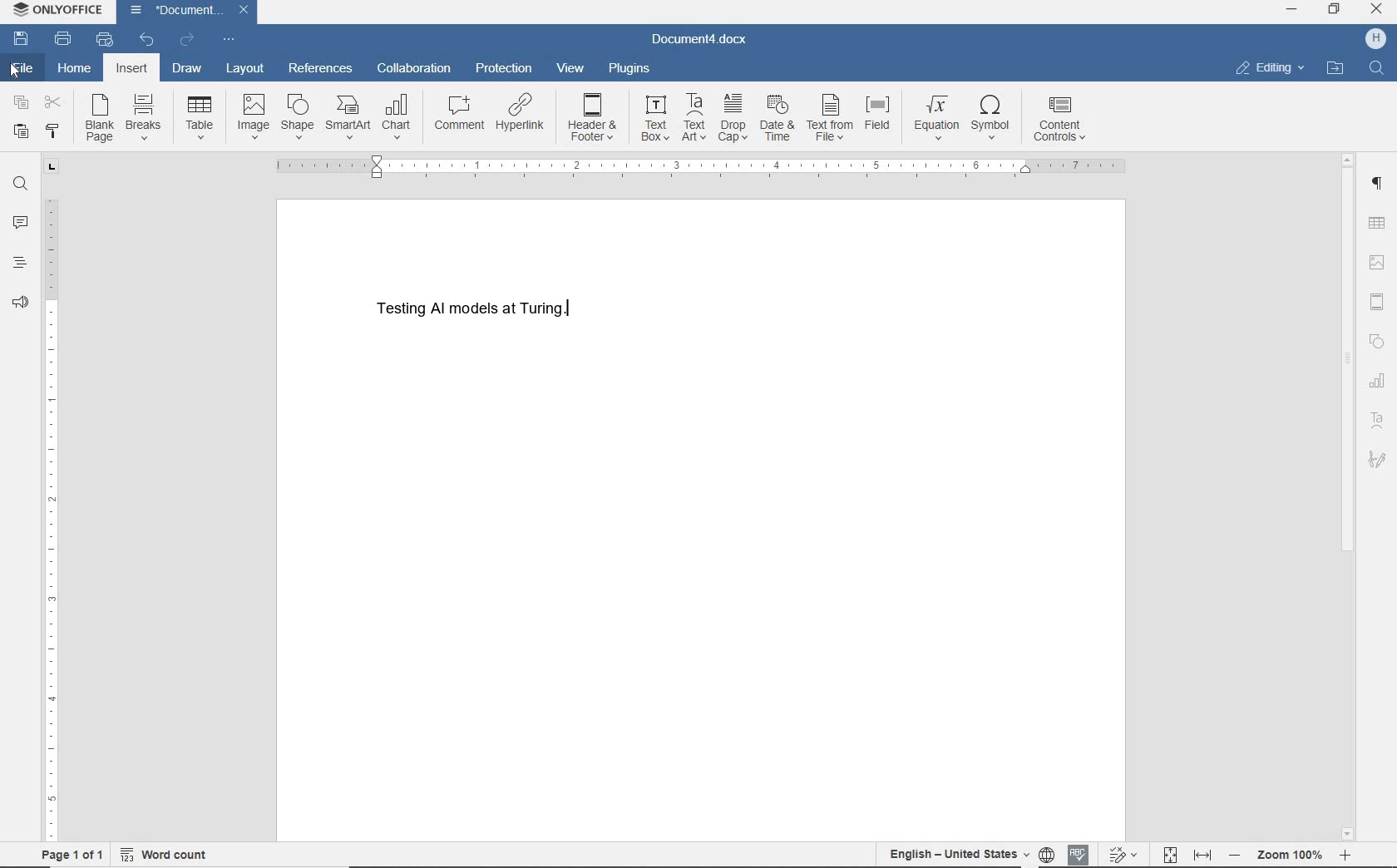  What do you see at coordinates (1335, 9) in the screenshot?
I see `RESTORE` at bounding box center [1335, 9].